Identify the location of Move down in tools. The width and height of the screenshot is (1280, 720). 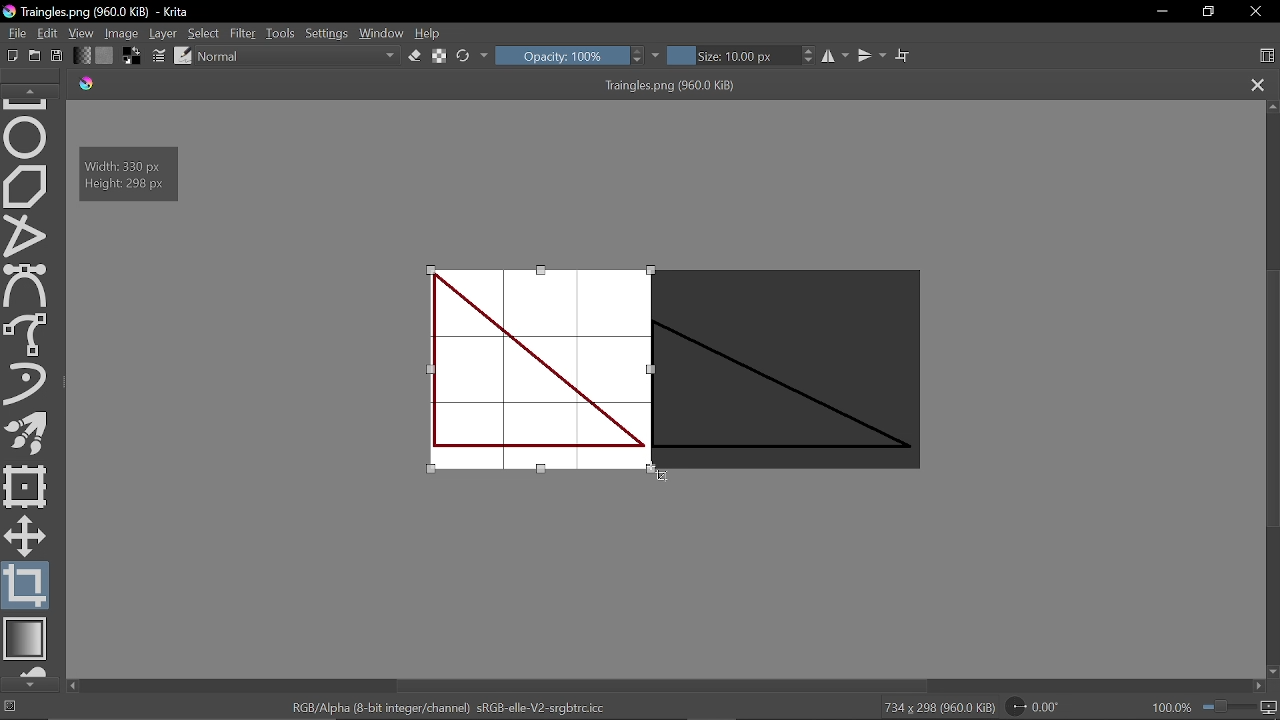
(29, 685).